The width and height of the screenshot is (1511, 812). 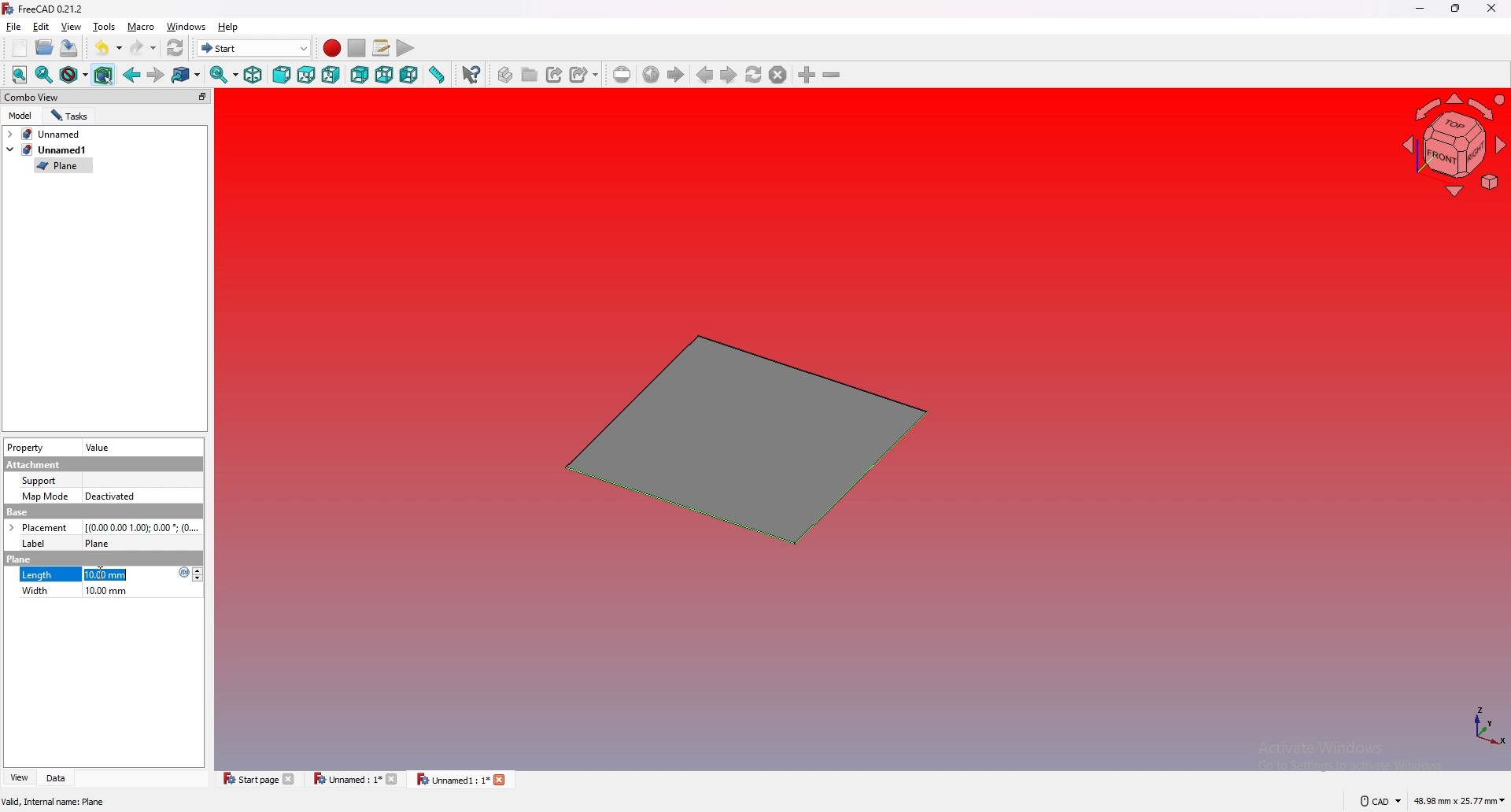 I want to click on Deactivated, so click(x=113, y=496).